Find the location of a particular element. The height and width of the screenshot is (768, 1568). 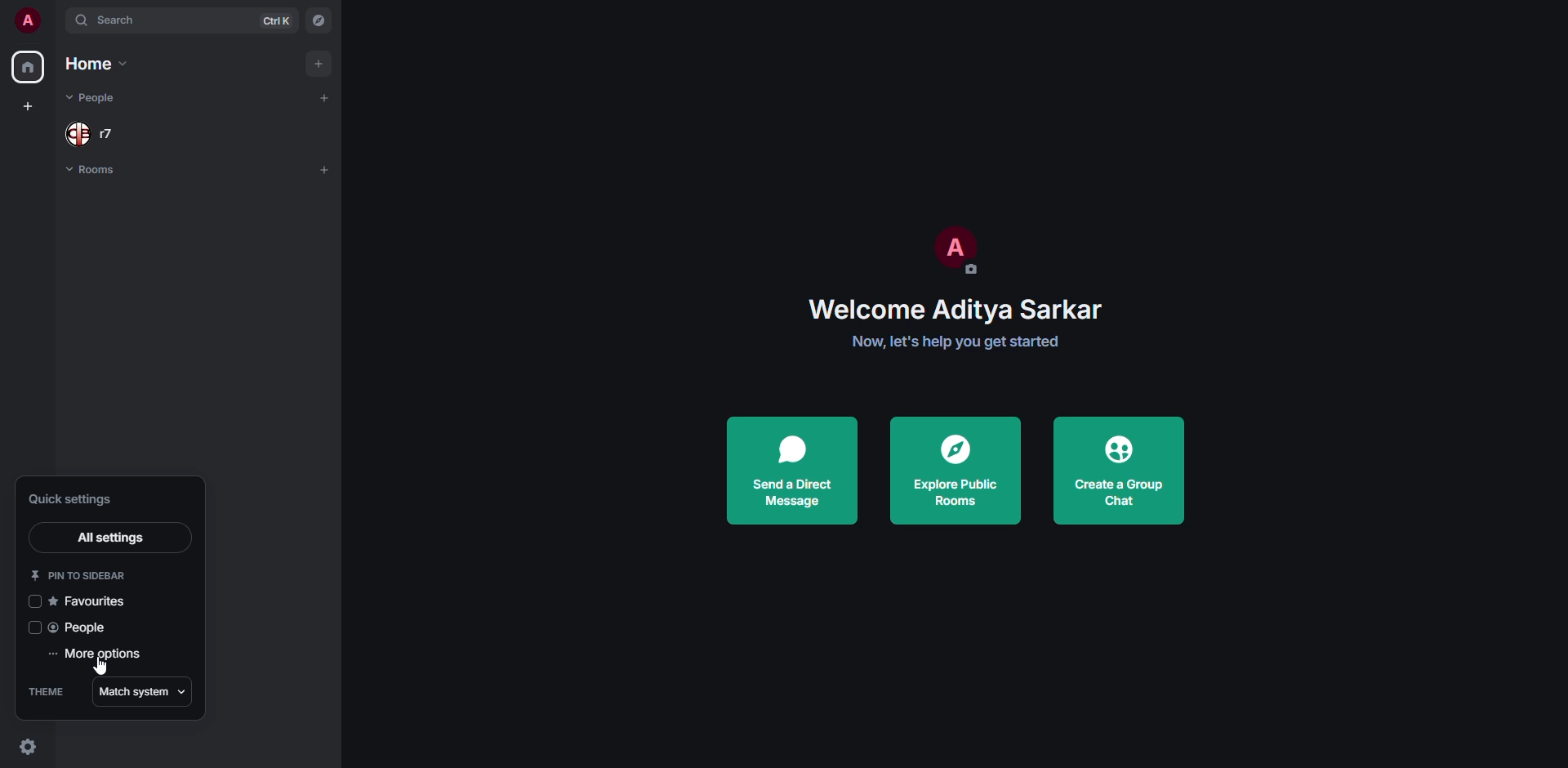

more options is located at coordinates (101, 654).